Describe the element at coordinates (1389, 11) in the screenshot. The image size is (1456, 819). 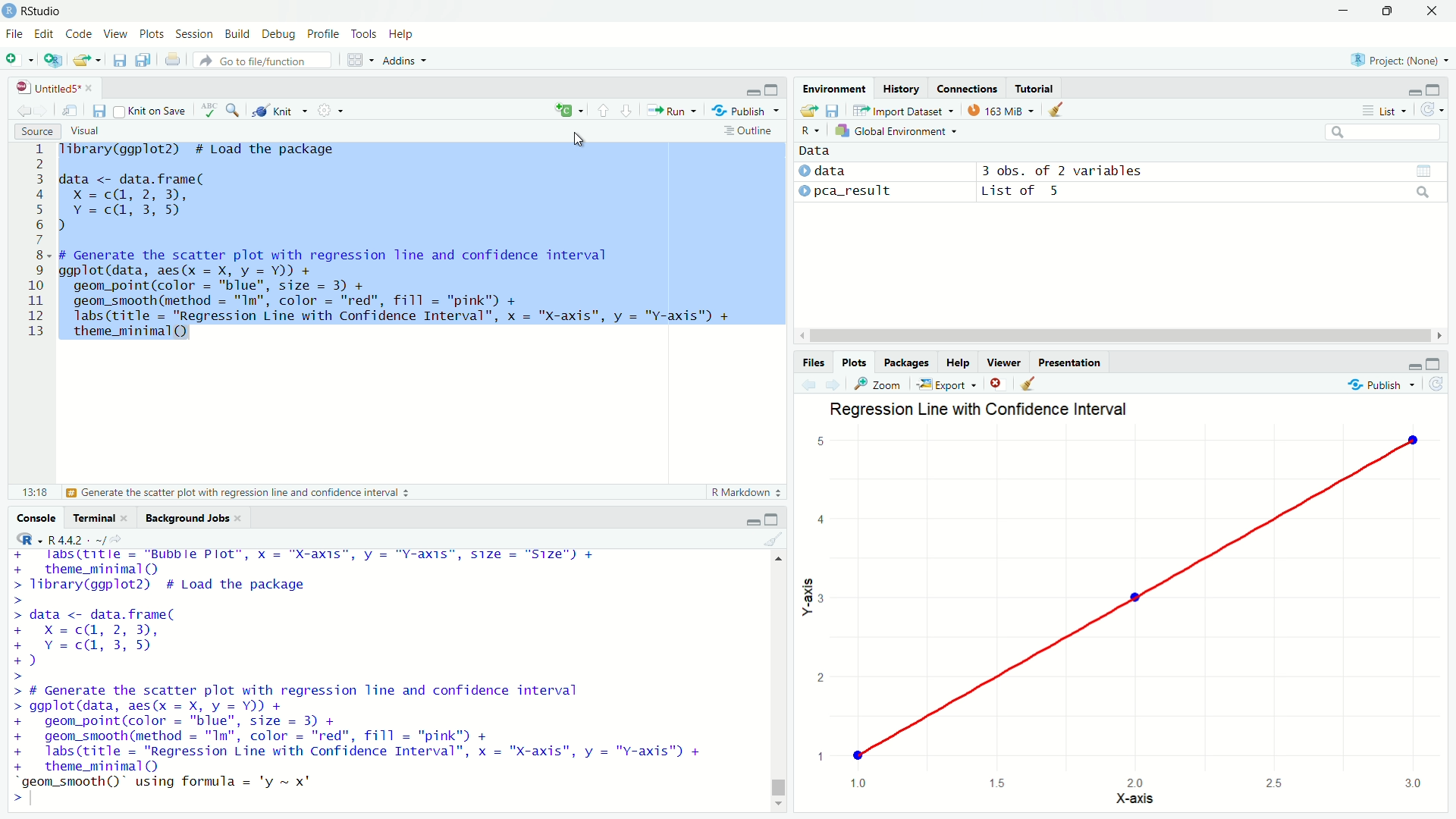
I see `restore` at that location.